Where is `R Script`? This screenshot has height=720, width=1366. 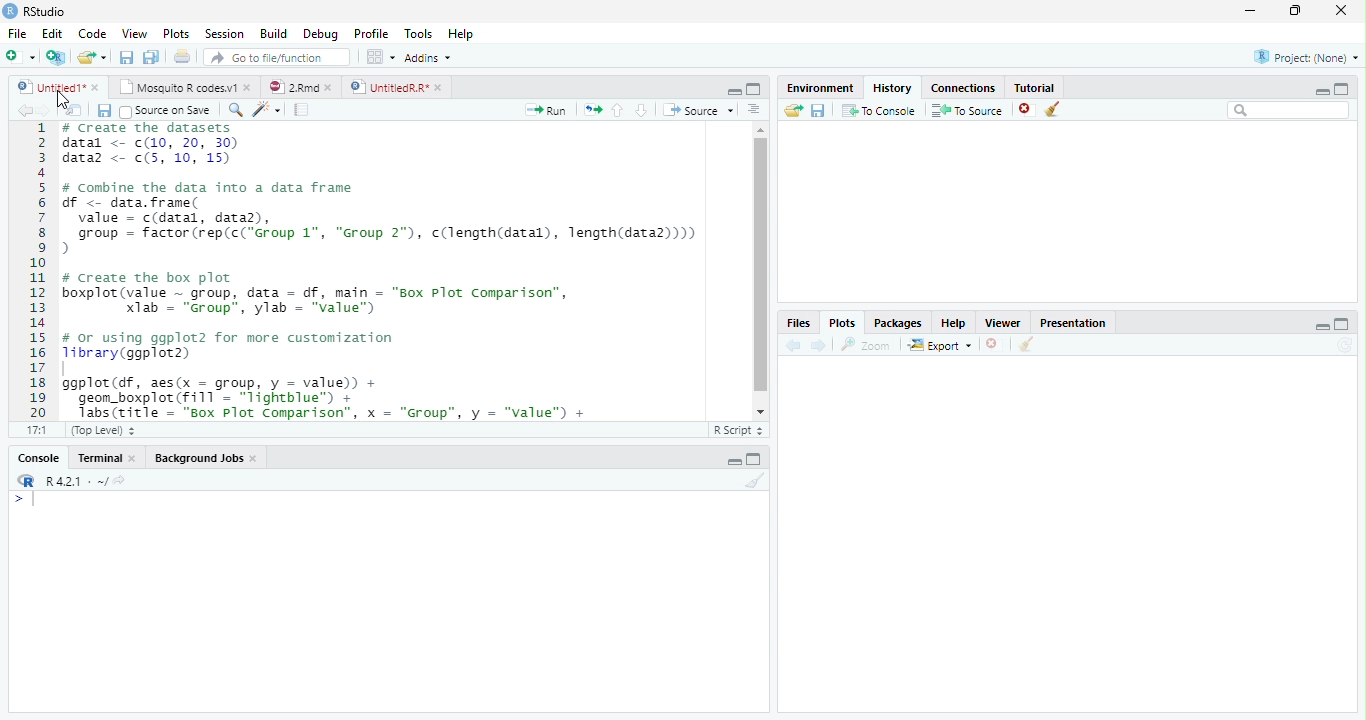 R Script is located at coordinates (738, 431).